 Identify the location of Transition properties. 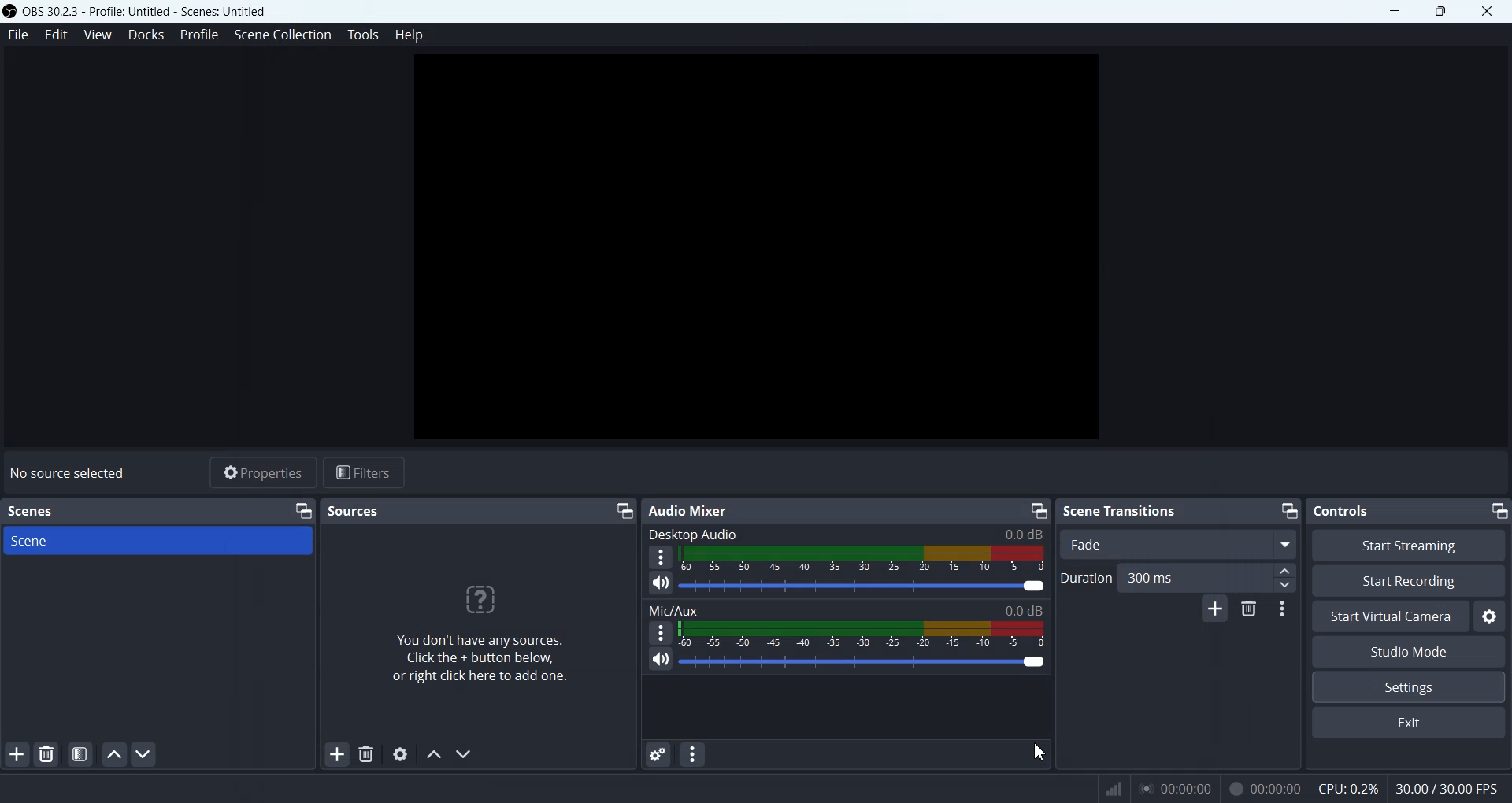
(1284, 609).